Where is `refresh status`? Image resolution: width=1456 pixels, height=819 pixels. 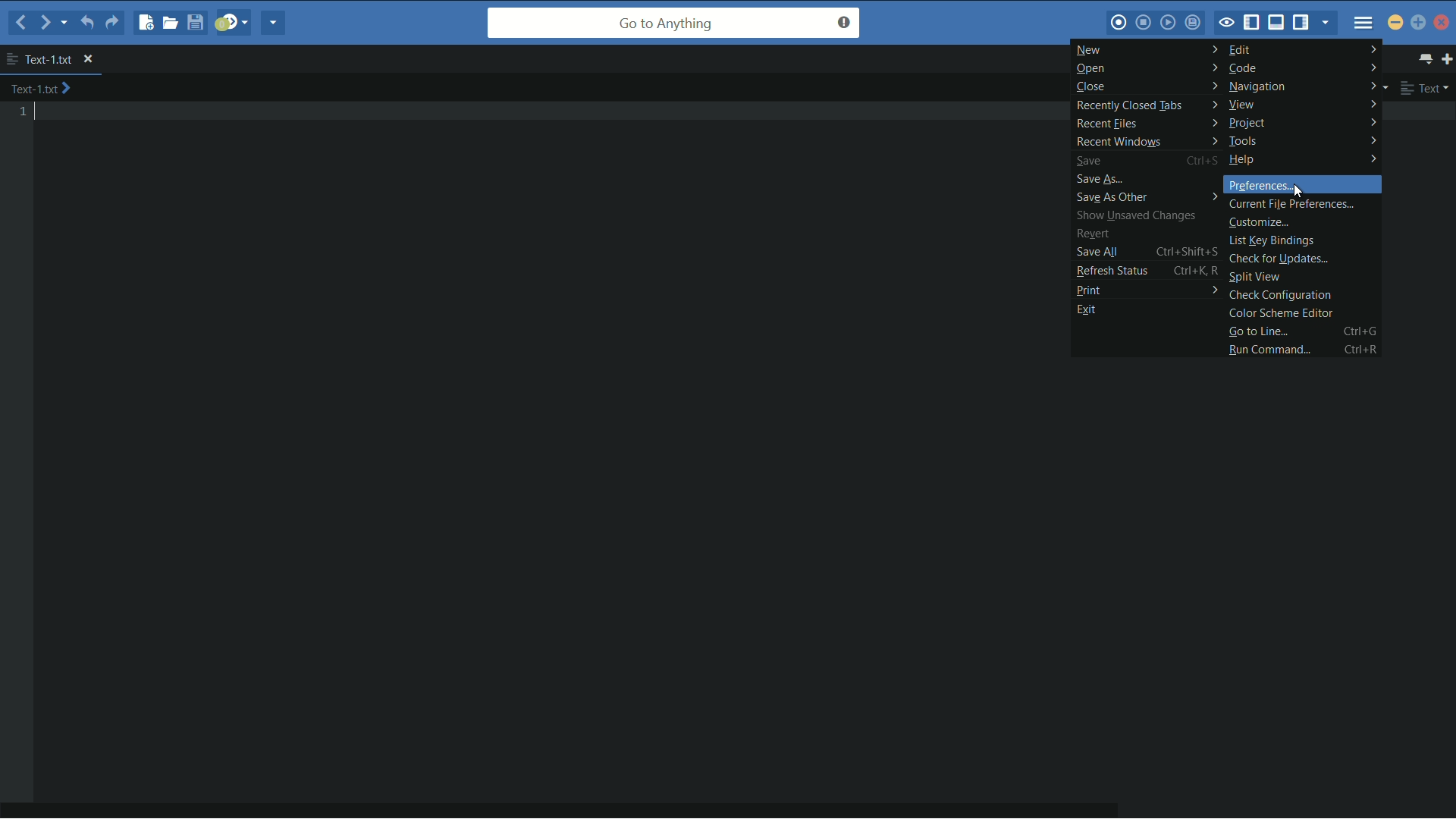
refresh status is located at coordinates (1112, 272).